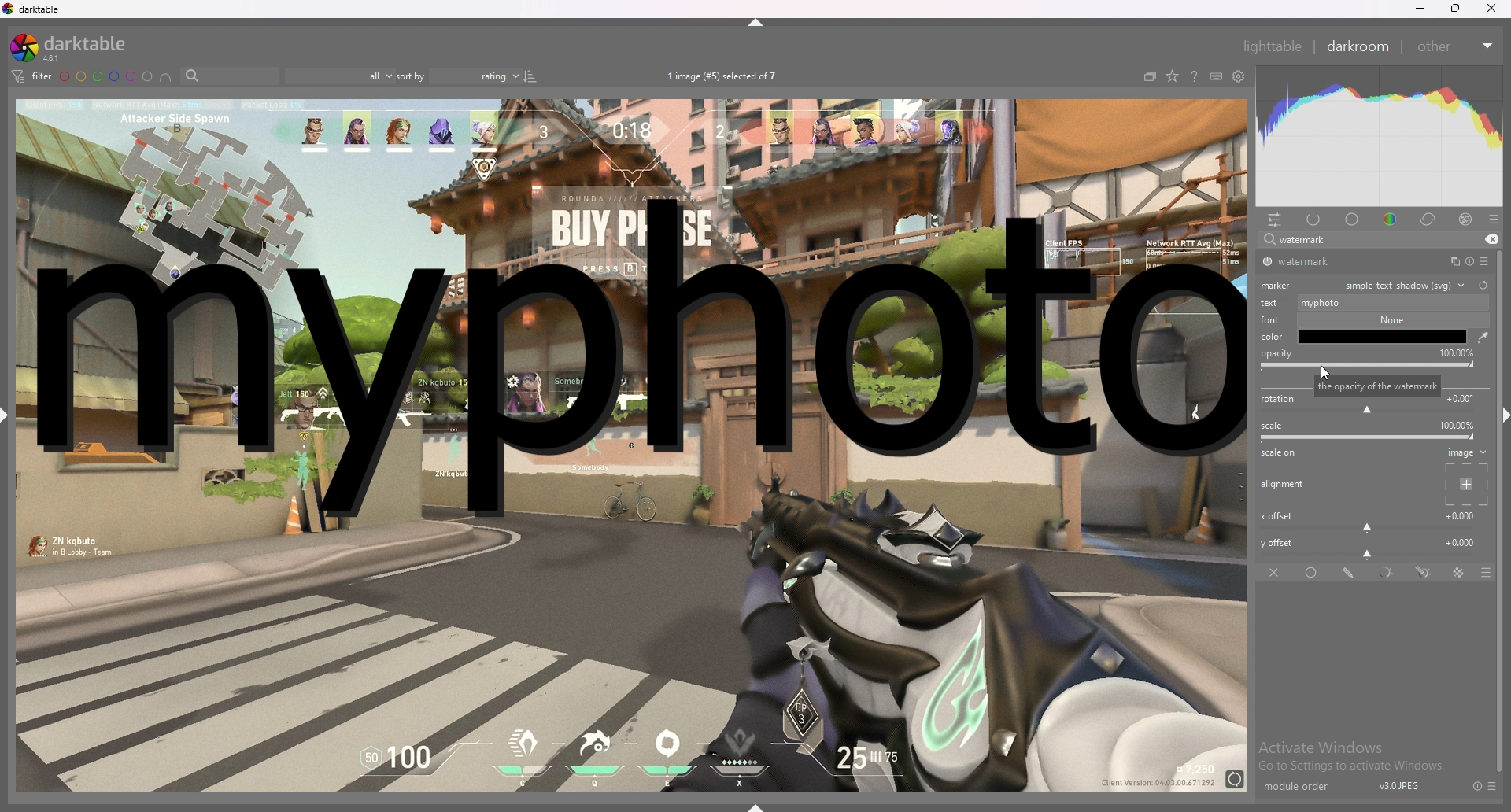 The height and width of the screenshot is (812, 1511). Describe the element at coordinates (1476, 786) in the screenshot. I see `reset` at that location.